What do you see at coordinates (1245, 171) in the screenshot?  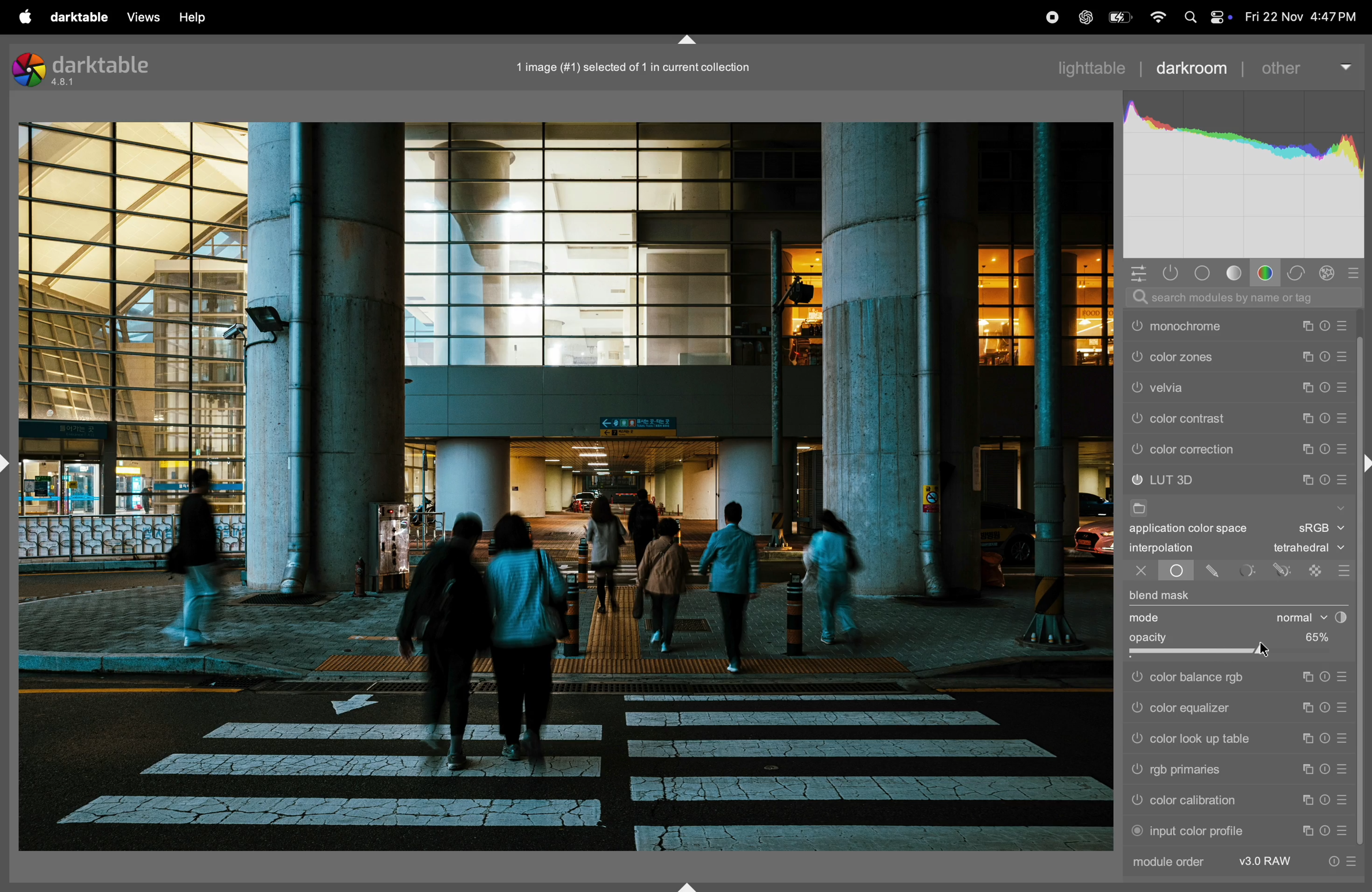 I see `histogram` at bounding box center [1245, 171].